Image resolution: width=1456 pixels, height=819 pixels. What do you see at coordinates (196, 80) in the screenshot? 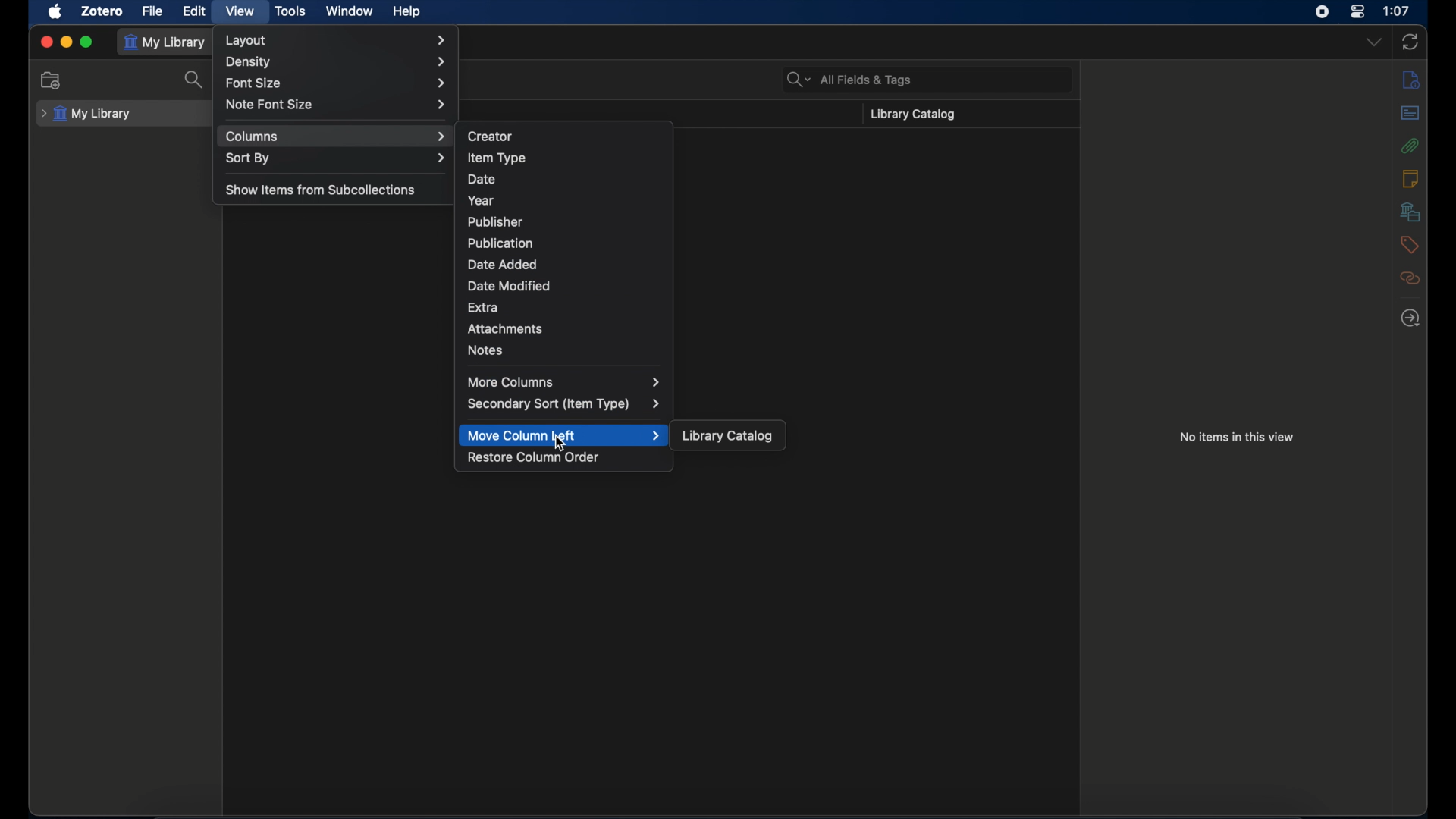
I see `search` at bounding box center [196, 80].